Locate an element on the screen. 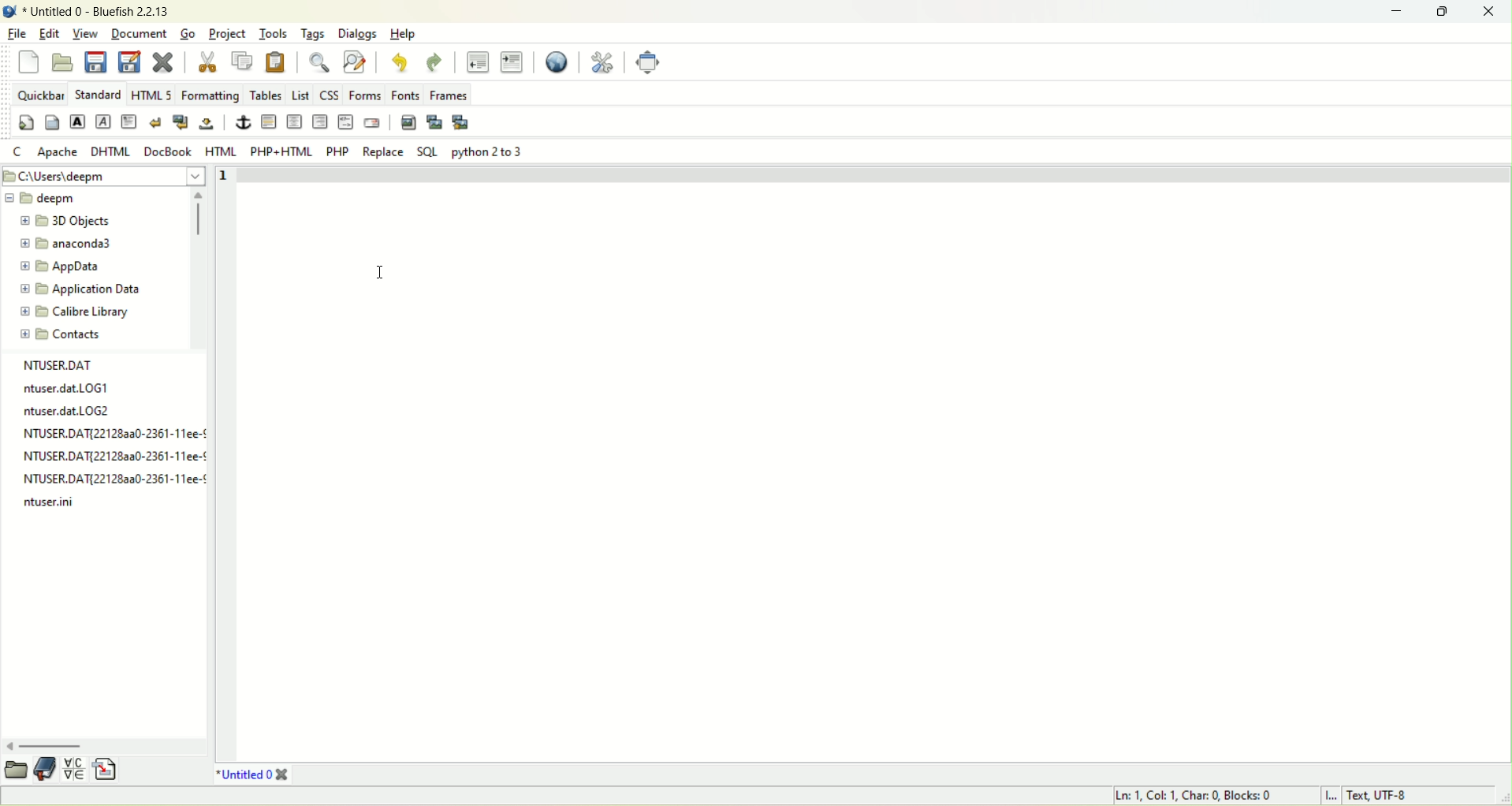 The width and height of the screenshot is (1512, 806). fullscreen is located at coordinates (647, 62).